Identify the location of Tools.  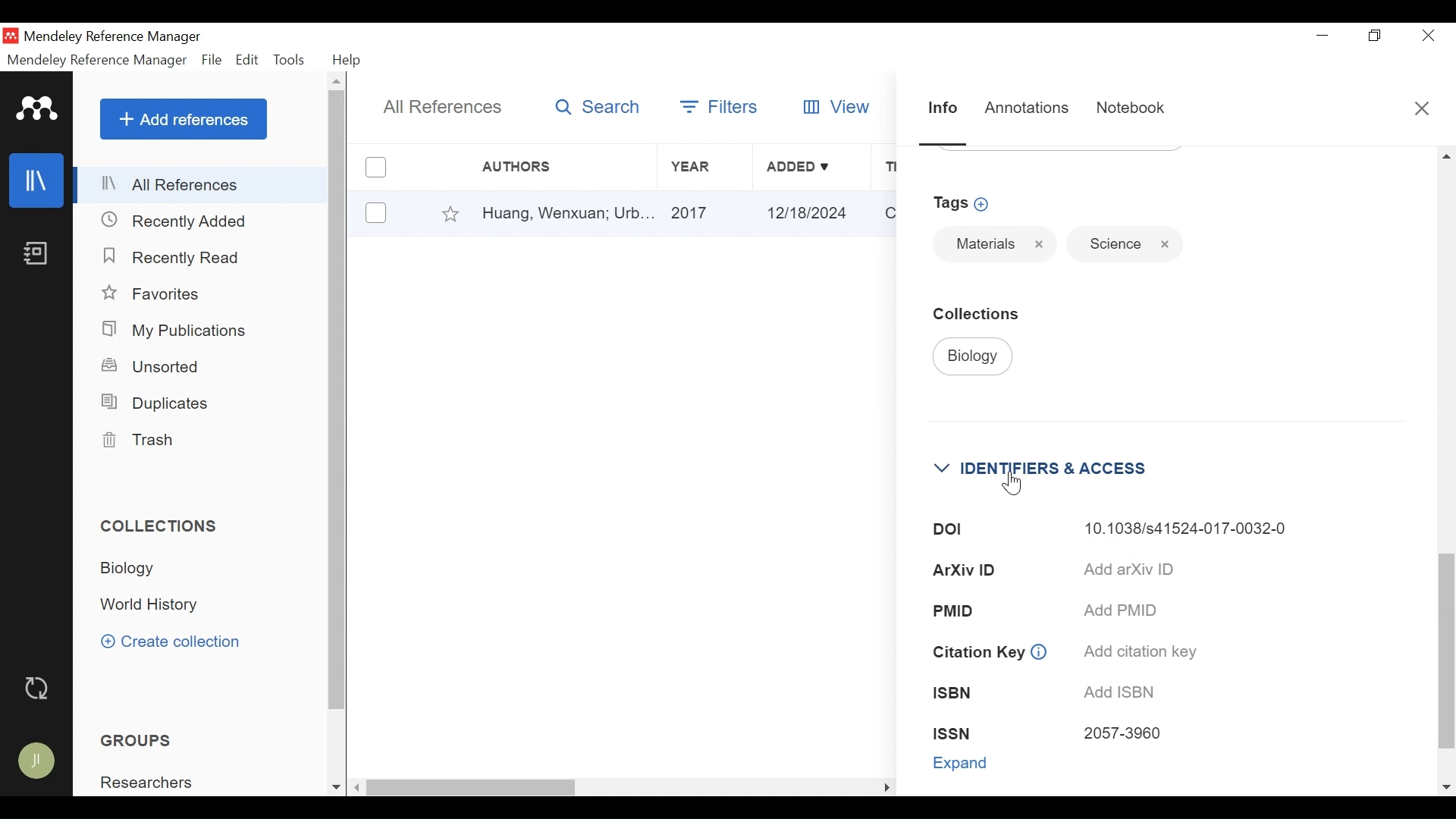
(290, 60).